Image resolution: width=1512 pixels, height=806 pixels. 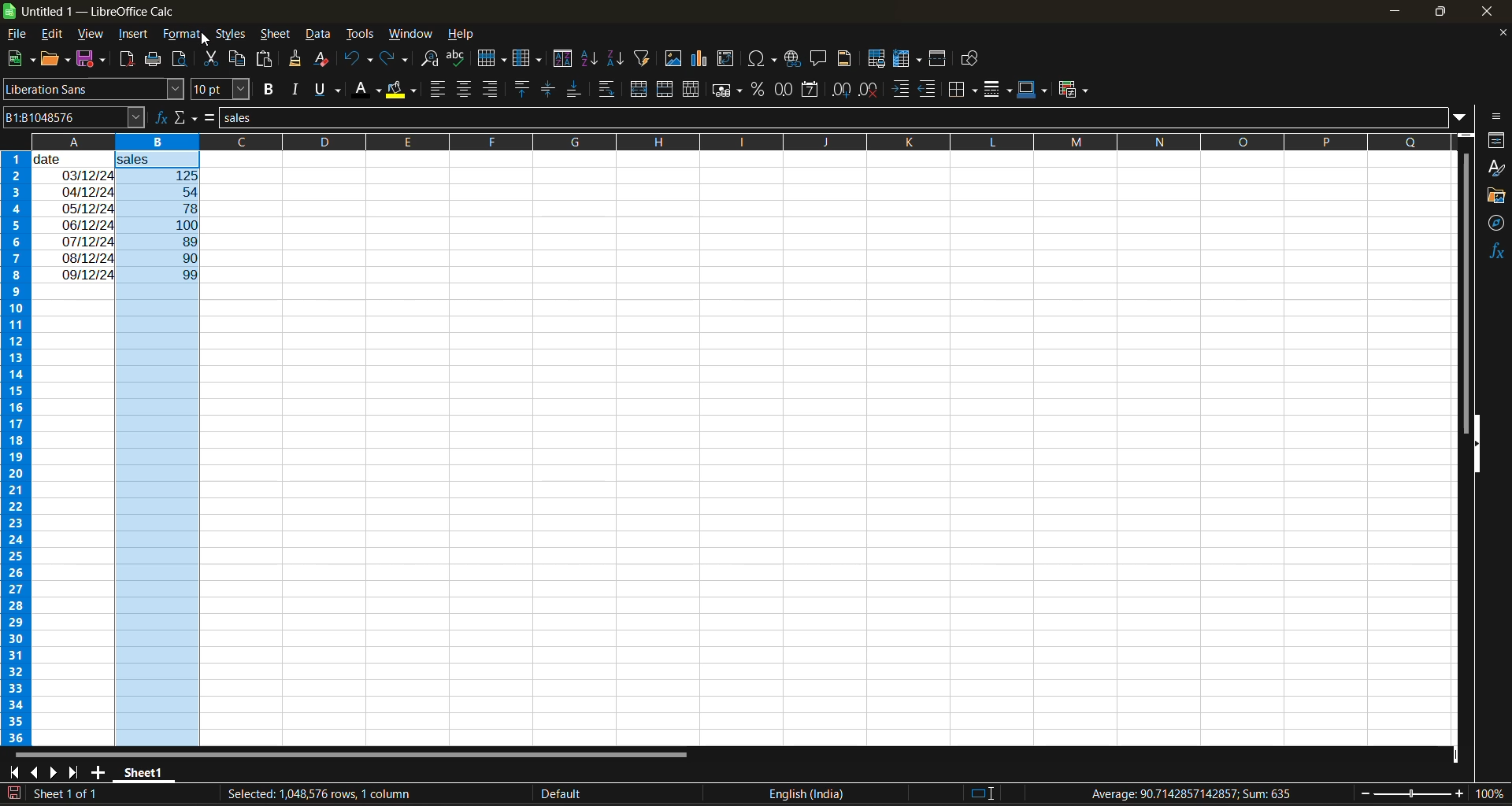 I want to click on insert or edit pivot table, so click(x=726, y=58).